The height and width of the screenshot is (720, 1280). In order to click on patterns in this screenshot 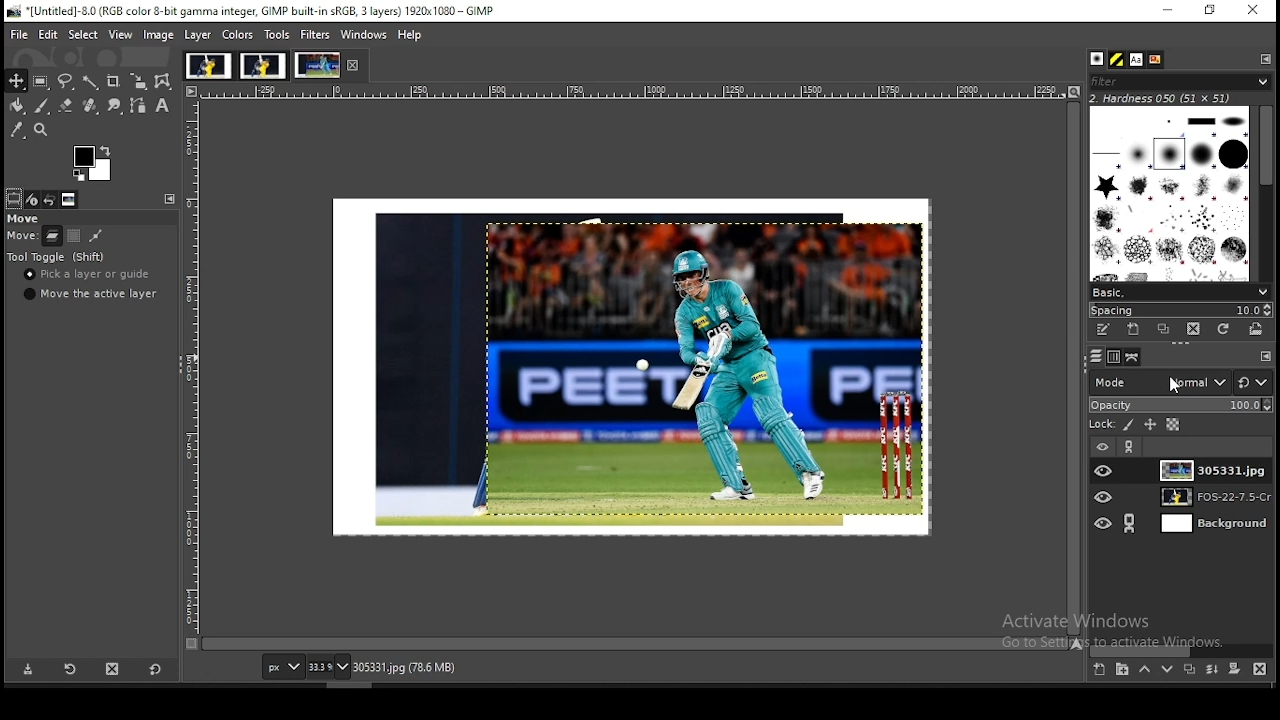, I will do `click(1118, 59)`.